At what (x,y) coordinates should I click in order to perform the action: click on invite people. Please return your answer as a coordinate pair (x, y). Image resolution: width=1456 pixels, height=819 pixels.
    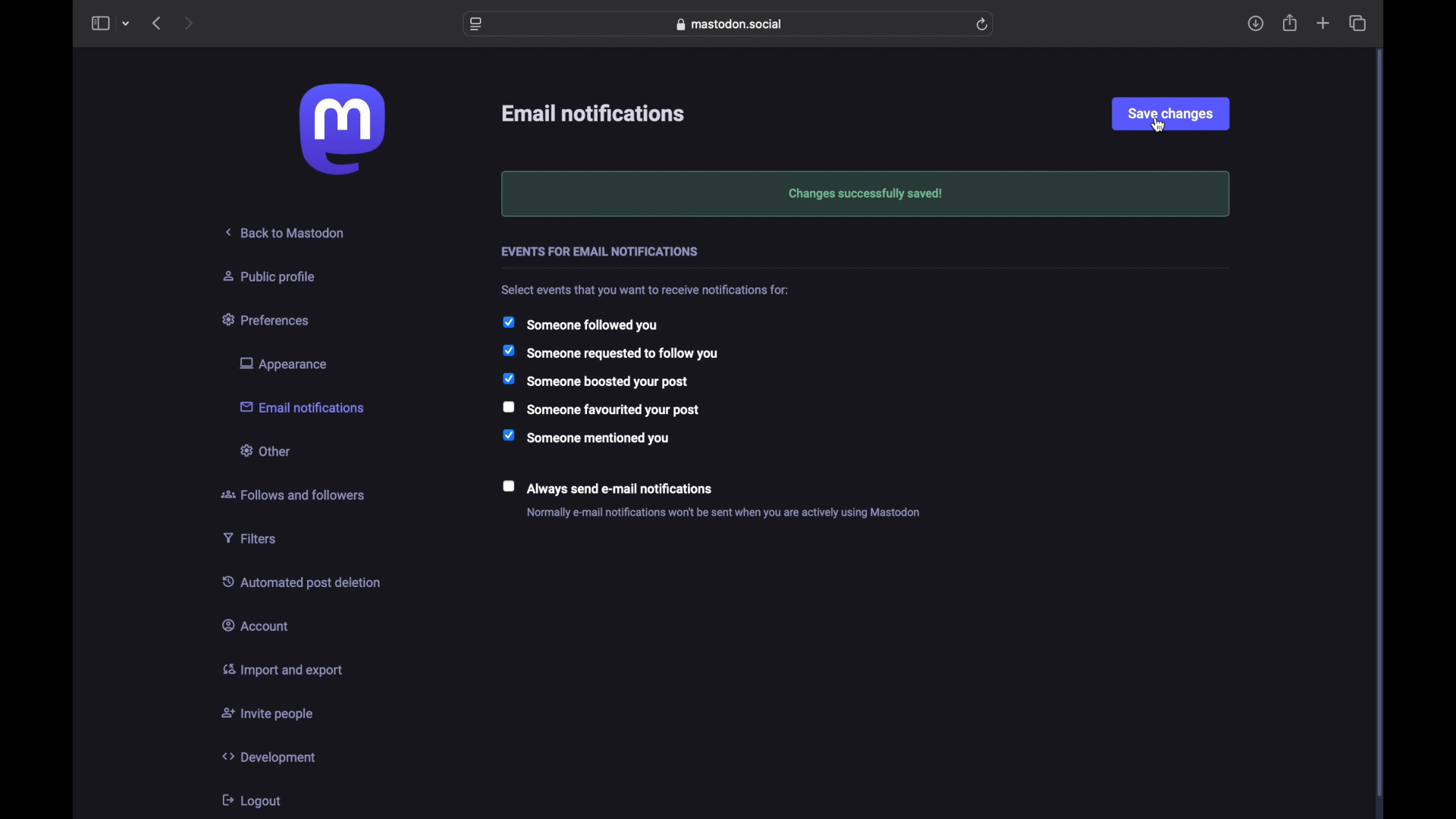
    Looking at the image, I should click on (268, 714).